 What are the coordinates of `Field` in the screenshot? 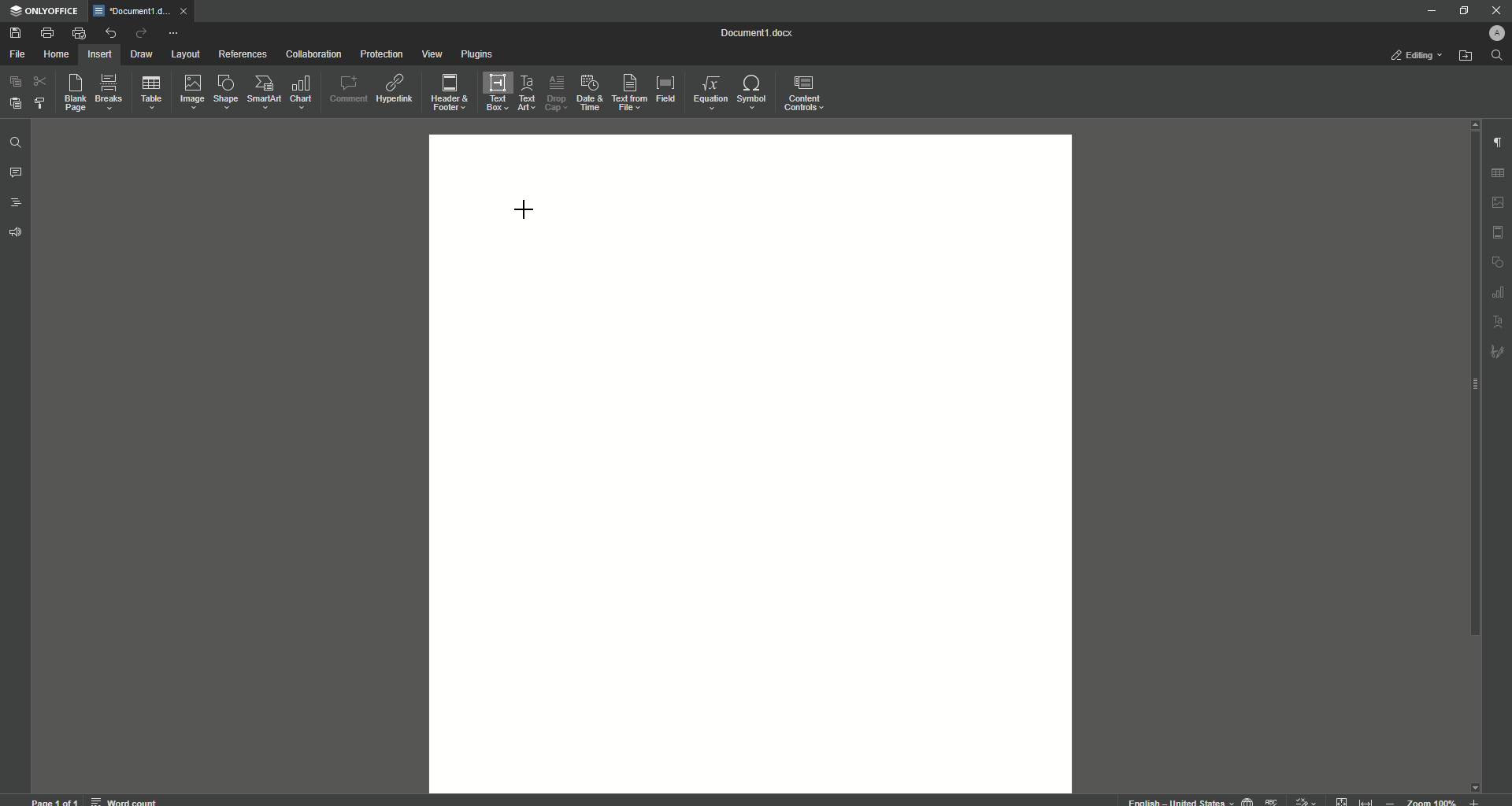 It's located at (665, 87).